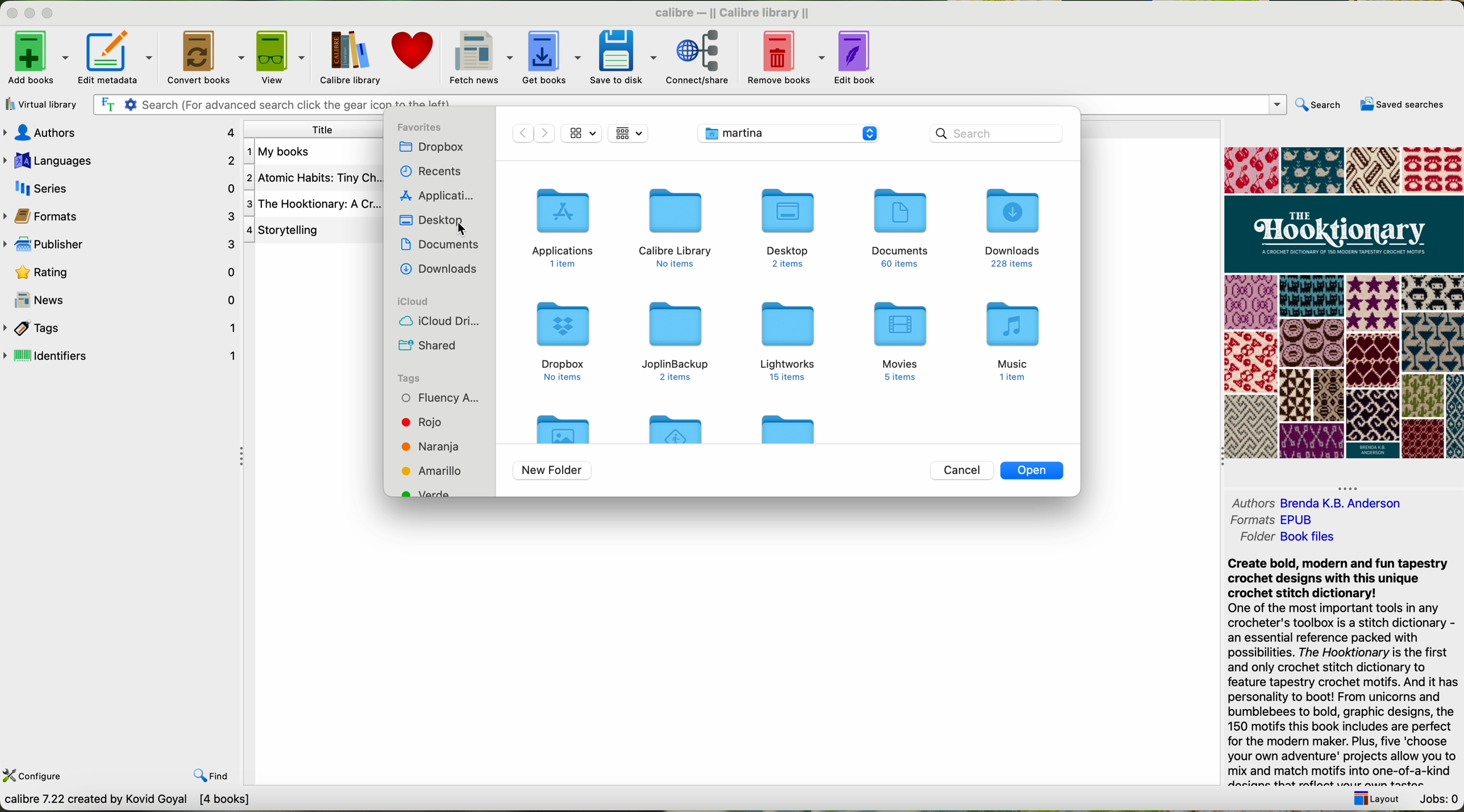 Image resolution: width=1464 pixels, height=812 pixels. What do you see at coordinates (521, 134) in the screenshot?
I see `move back` at bounding box center [521, 134].